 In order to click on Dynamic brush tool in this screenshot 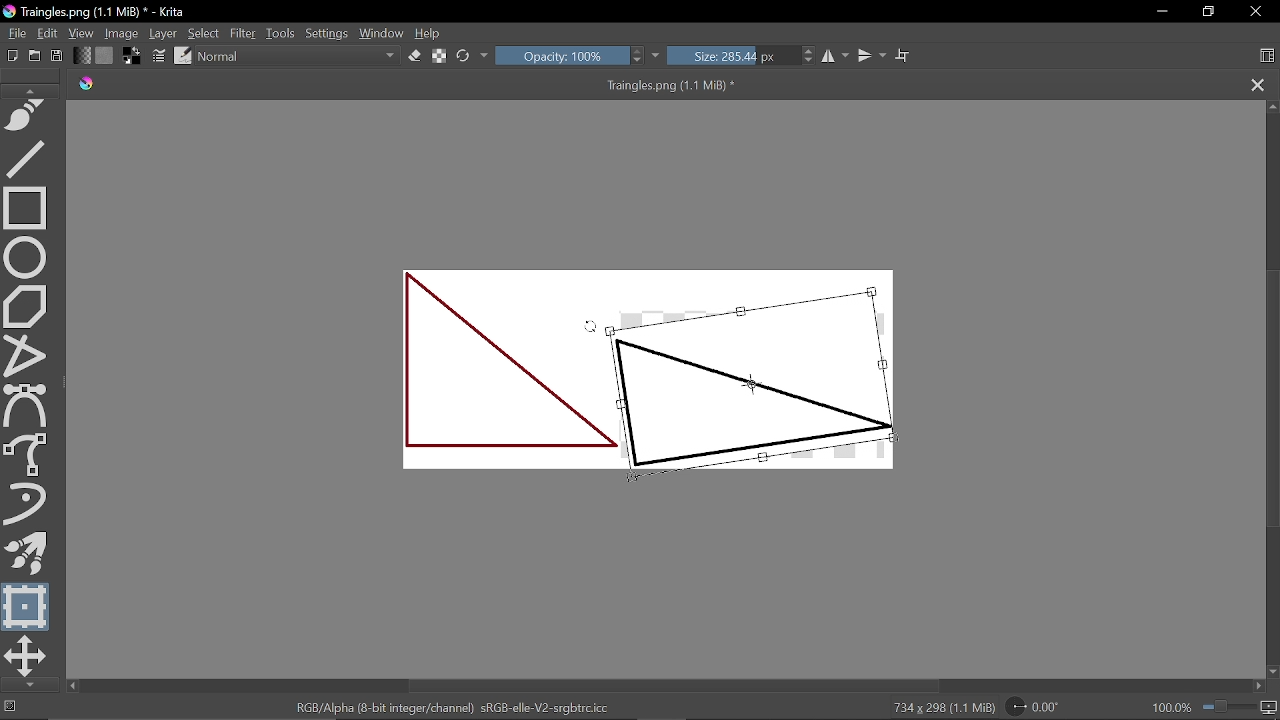, I will do `click(31, 505)`.